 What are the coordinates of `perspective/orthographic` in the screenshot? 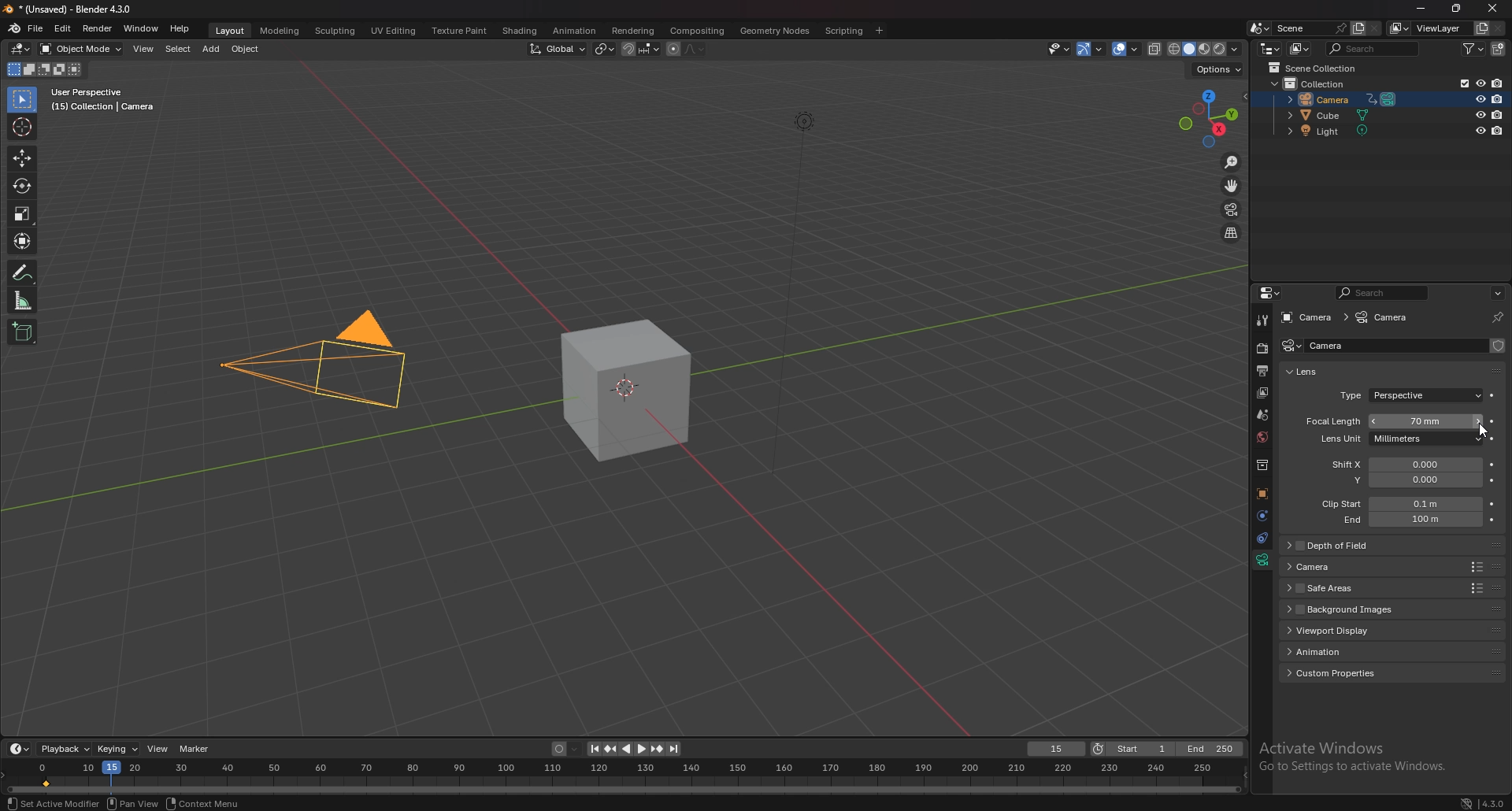 It's located at (1232, 233).